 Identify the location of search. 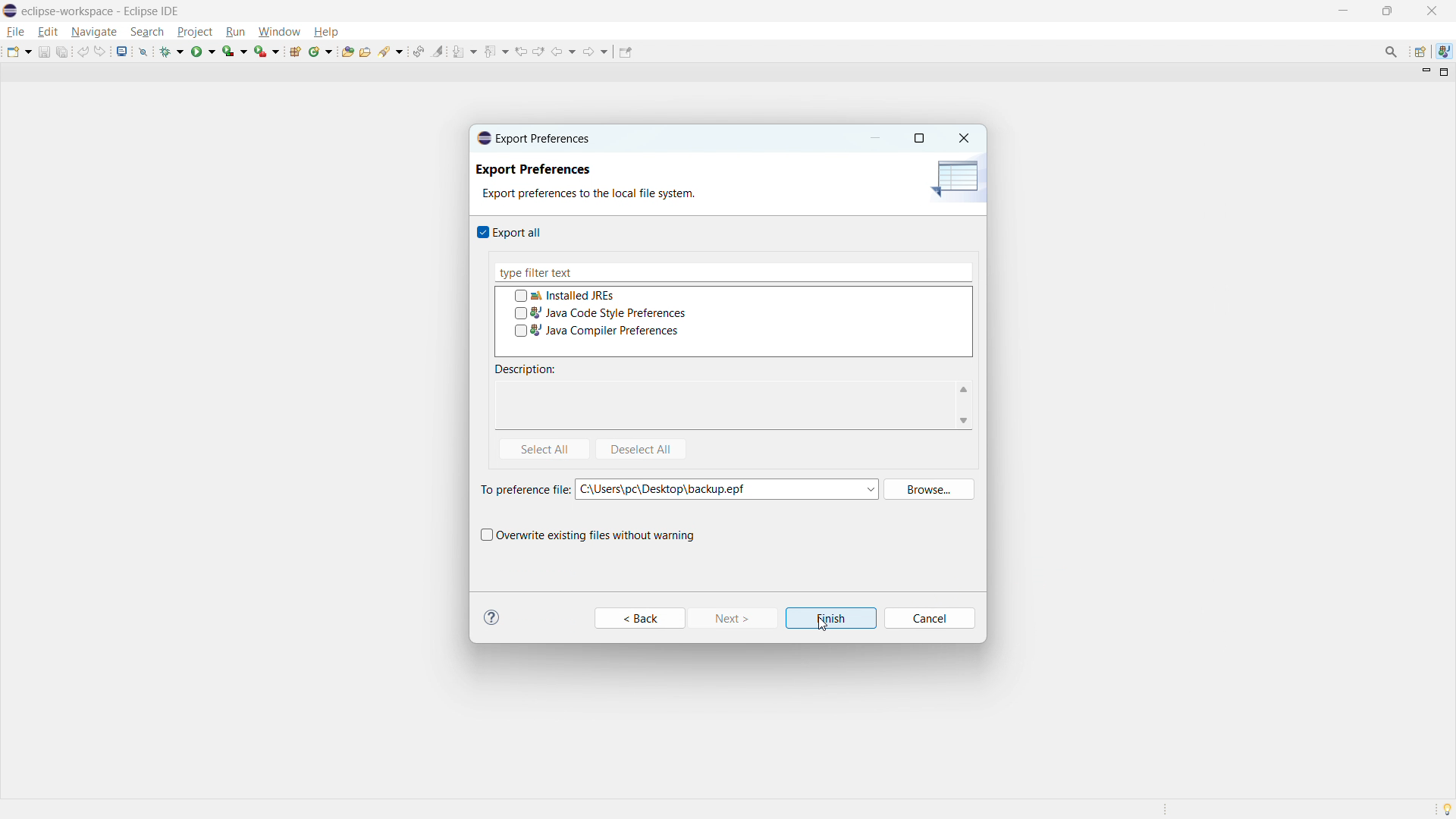
(147, 32).